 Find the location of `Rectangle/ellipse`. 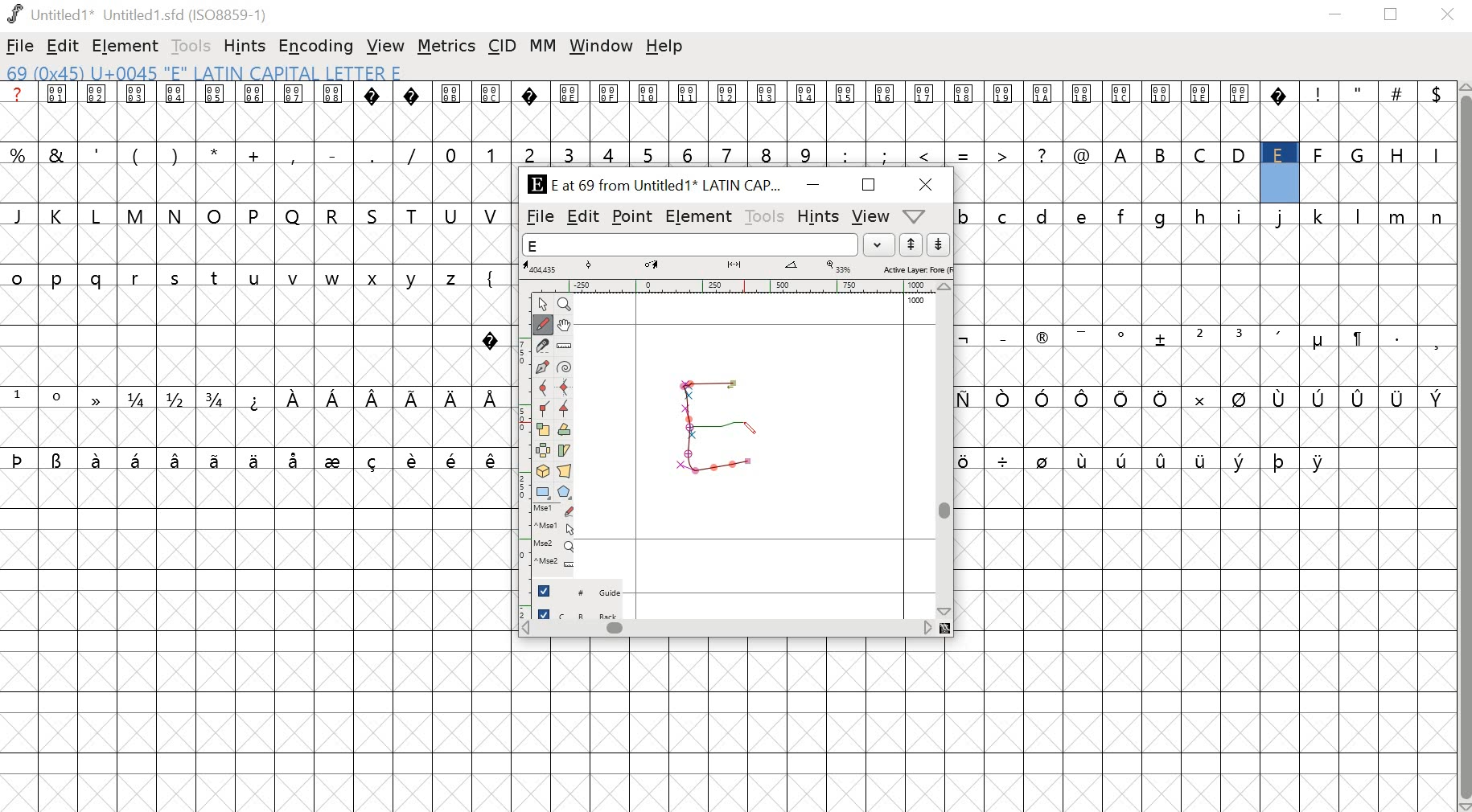

Rectangle/ellipse is located at coordinates (542, 493).